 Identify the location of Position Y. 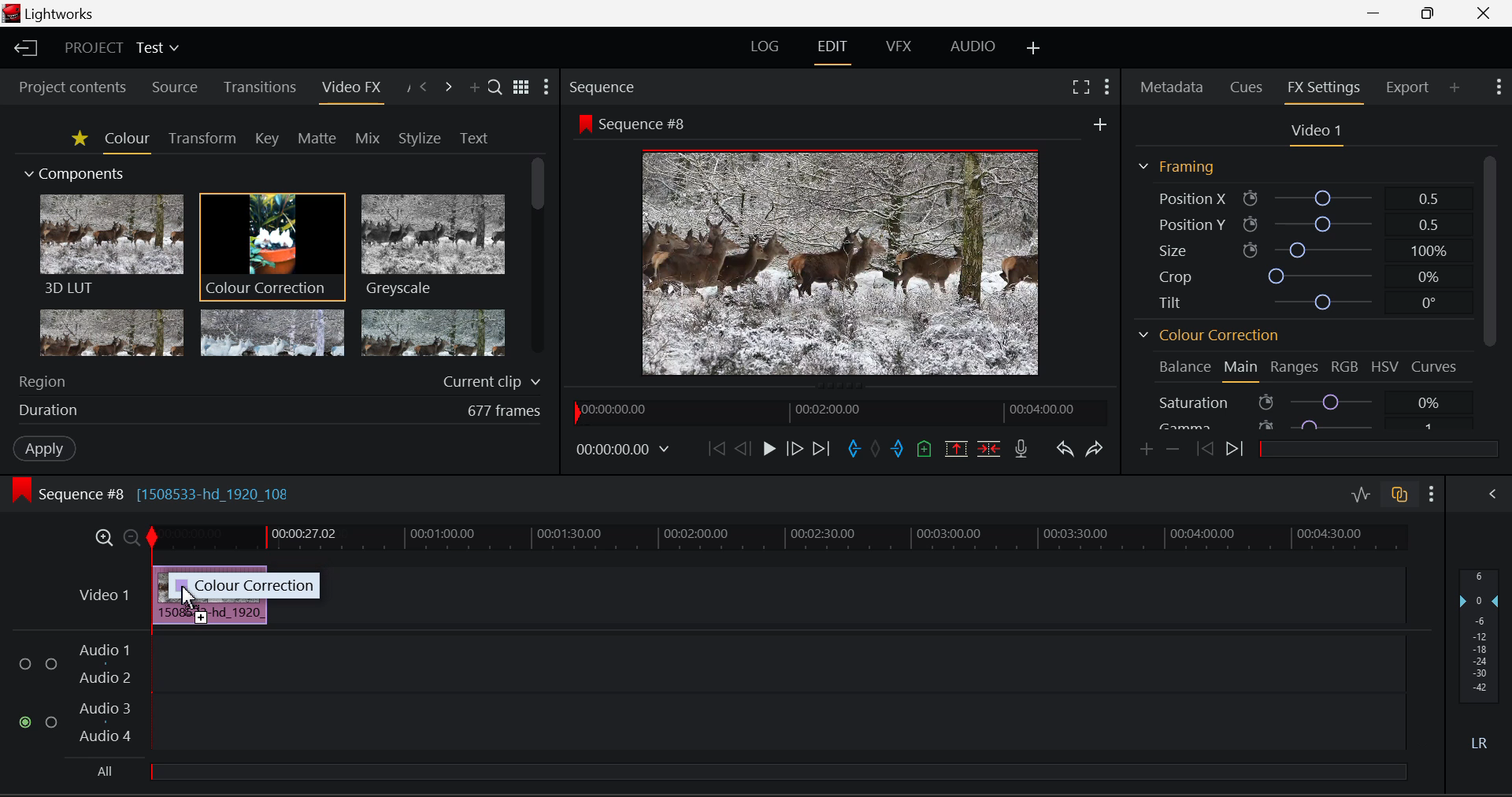
(1298, 224).